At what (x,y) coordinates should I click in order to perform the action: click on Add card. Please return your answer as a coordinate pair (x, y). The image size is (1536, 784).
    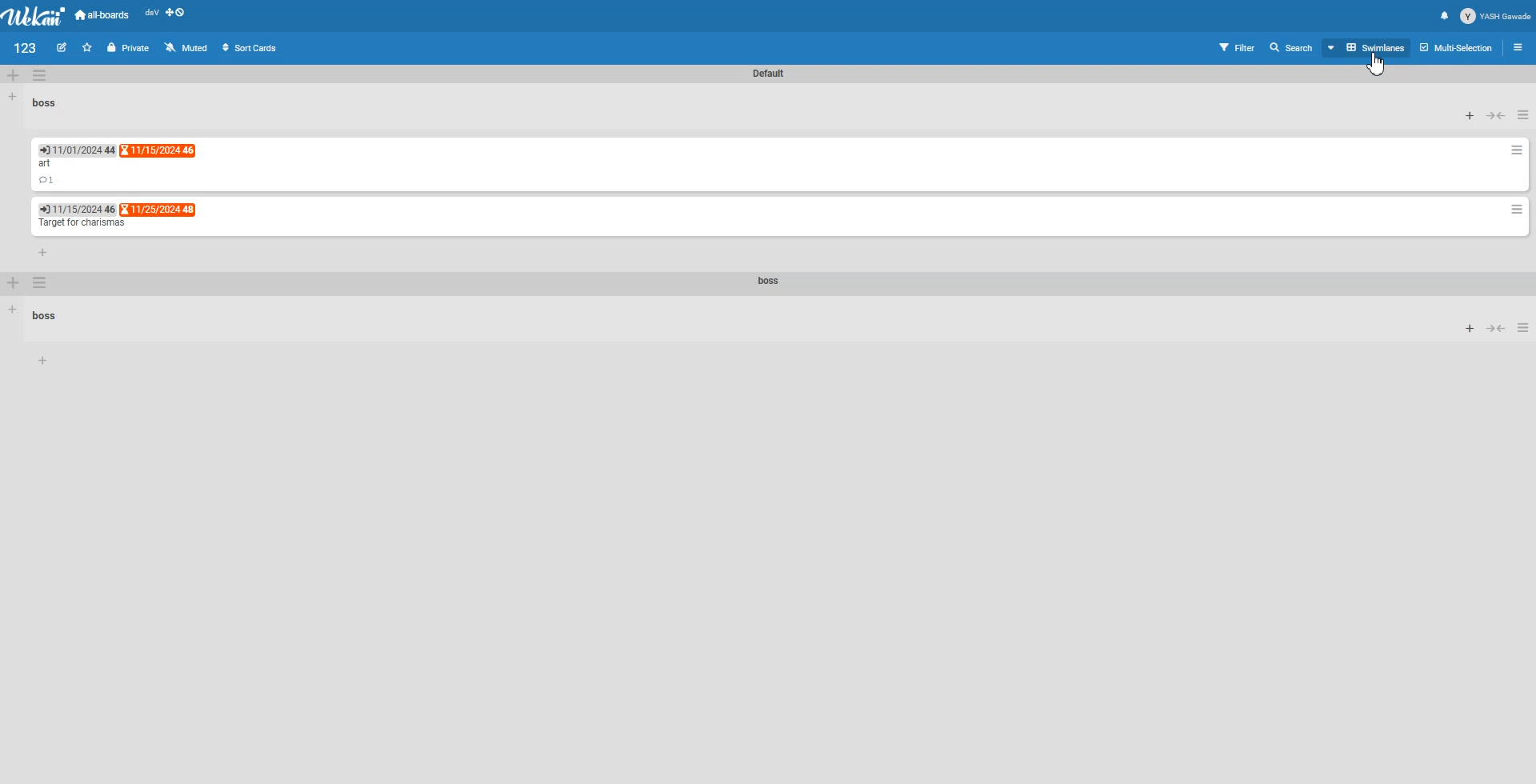
    Looking at the image, I should click on (1470, 327).